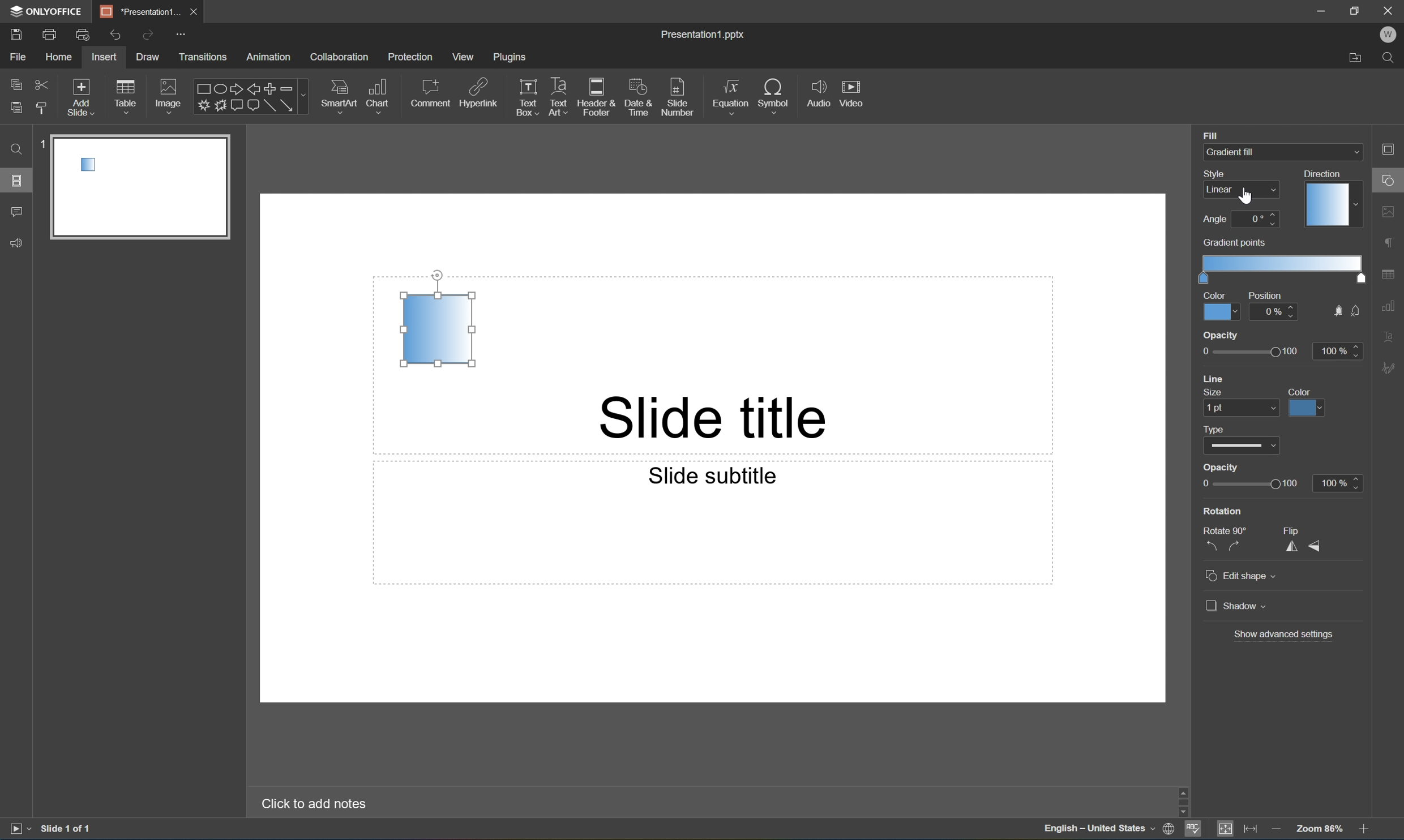 This screenshot has height=840, width=1404. I want to click on English-United States, so click(1097, 830).